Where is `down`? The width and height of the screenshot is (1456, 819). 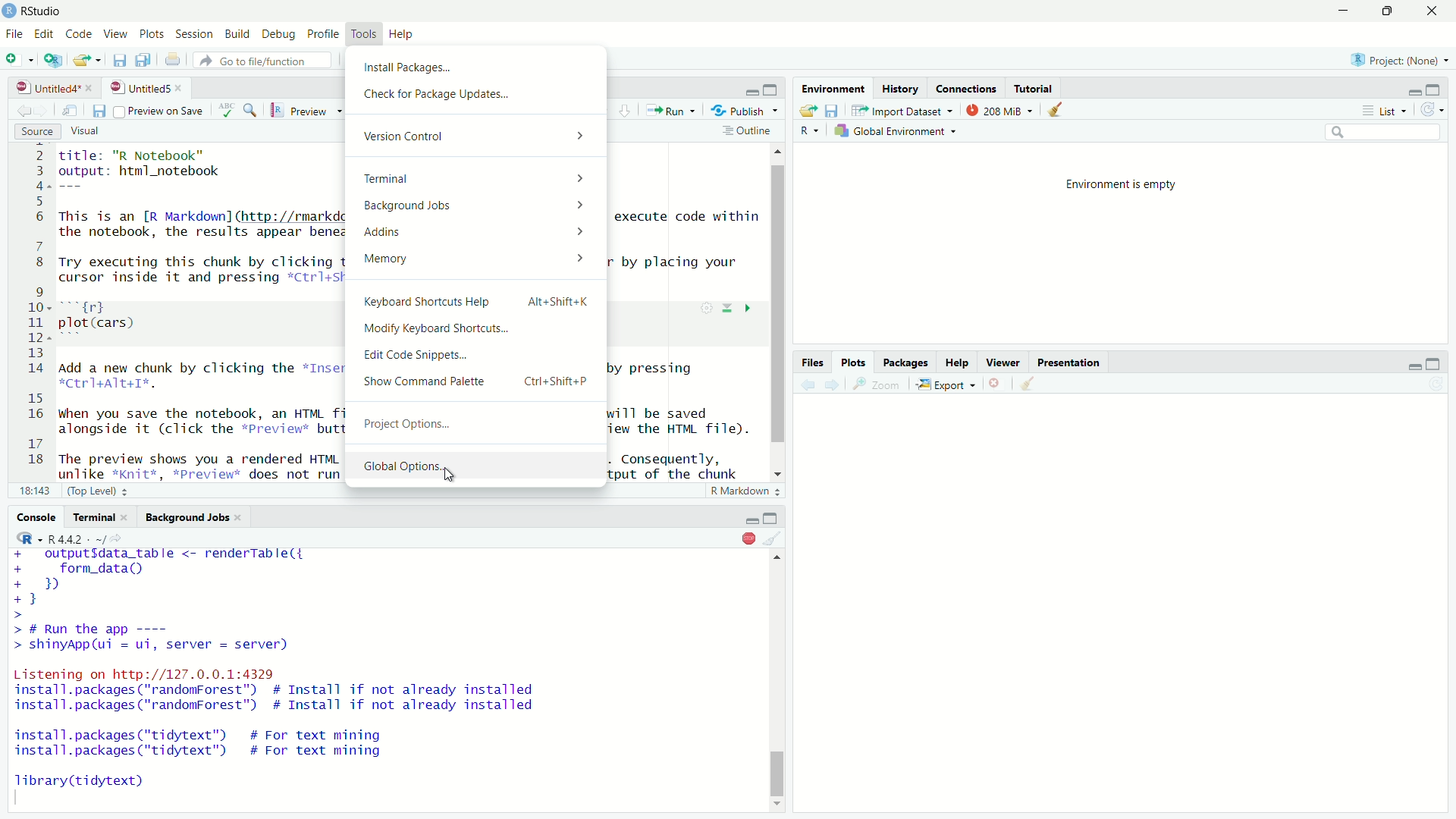
down is located at coordinates (727, 309).